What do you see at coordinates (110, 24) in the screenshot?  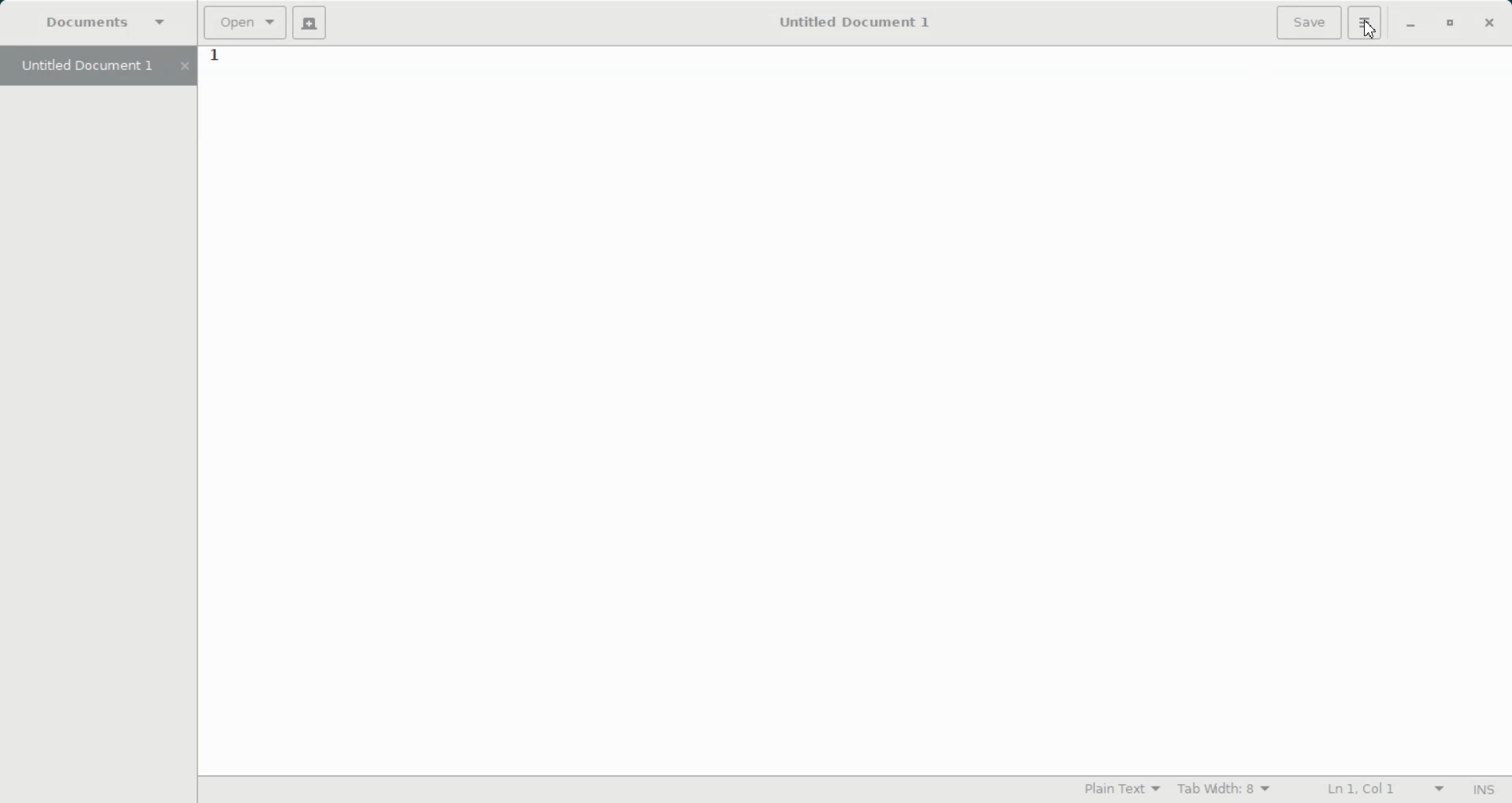 I see `Document ` at bounding box center [110, 24].